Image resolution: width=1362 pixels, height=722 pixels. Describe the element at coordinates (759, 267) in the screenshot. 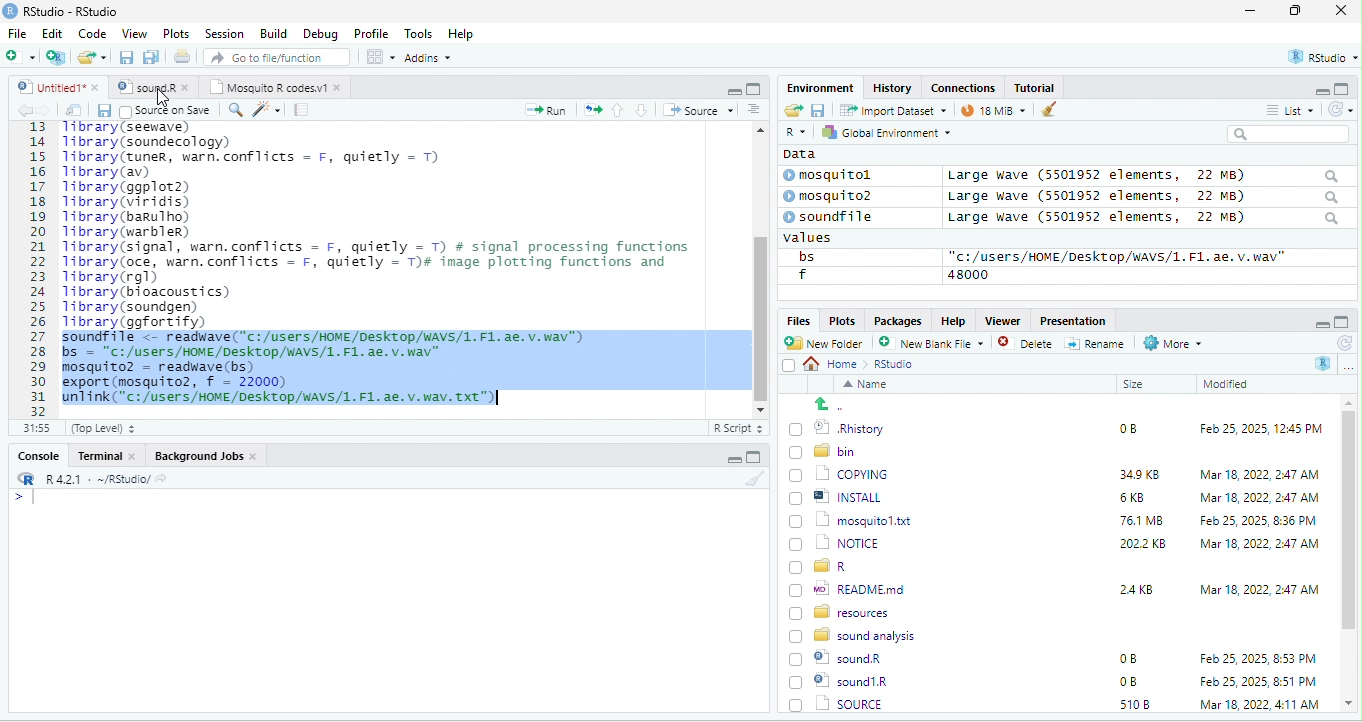

I see `scroll bar` at that location.